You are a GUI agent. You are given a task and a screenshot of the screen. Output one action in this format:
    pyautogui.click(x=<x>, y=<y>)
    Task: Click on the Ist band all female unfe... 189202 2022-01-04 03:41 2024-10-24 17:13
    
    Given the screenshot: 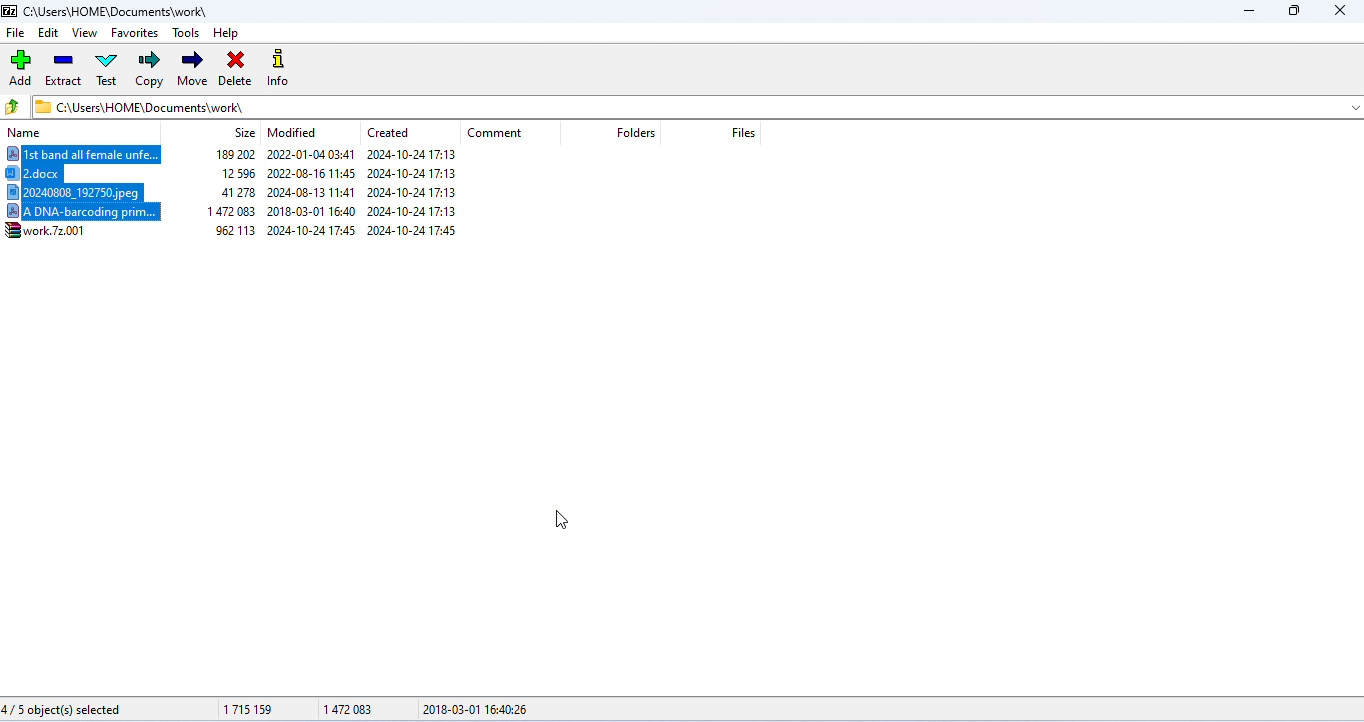 What is the action you would take?
    pyautogui.click(x=245, y=156)
    